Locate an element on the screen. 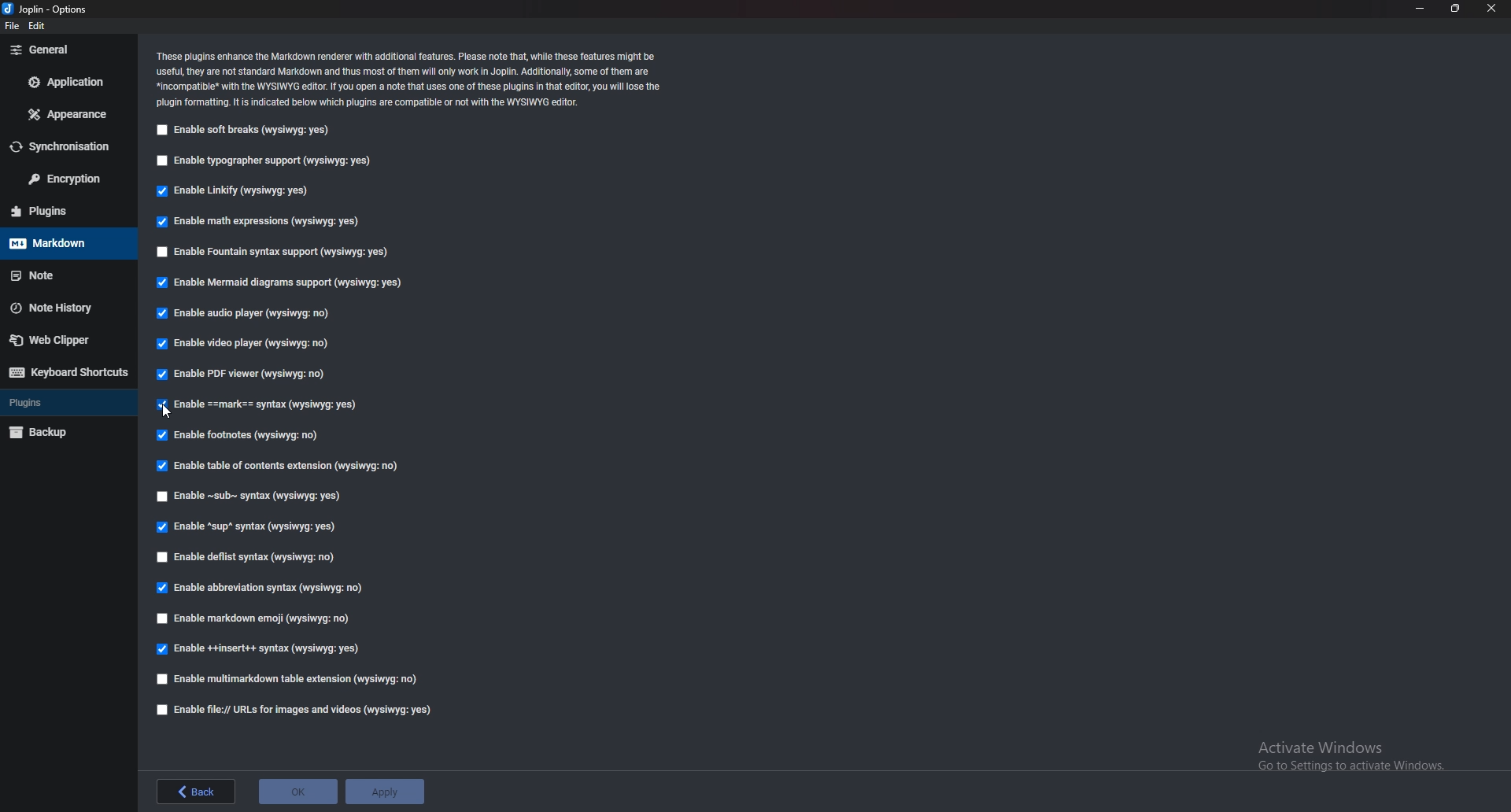  Enable multi markdown table extension is located at coordinates (293, 678).